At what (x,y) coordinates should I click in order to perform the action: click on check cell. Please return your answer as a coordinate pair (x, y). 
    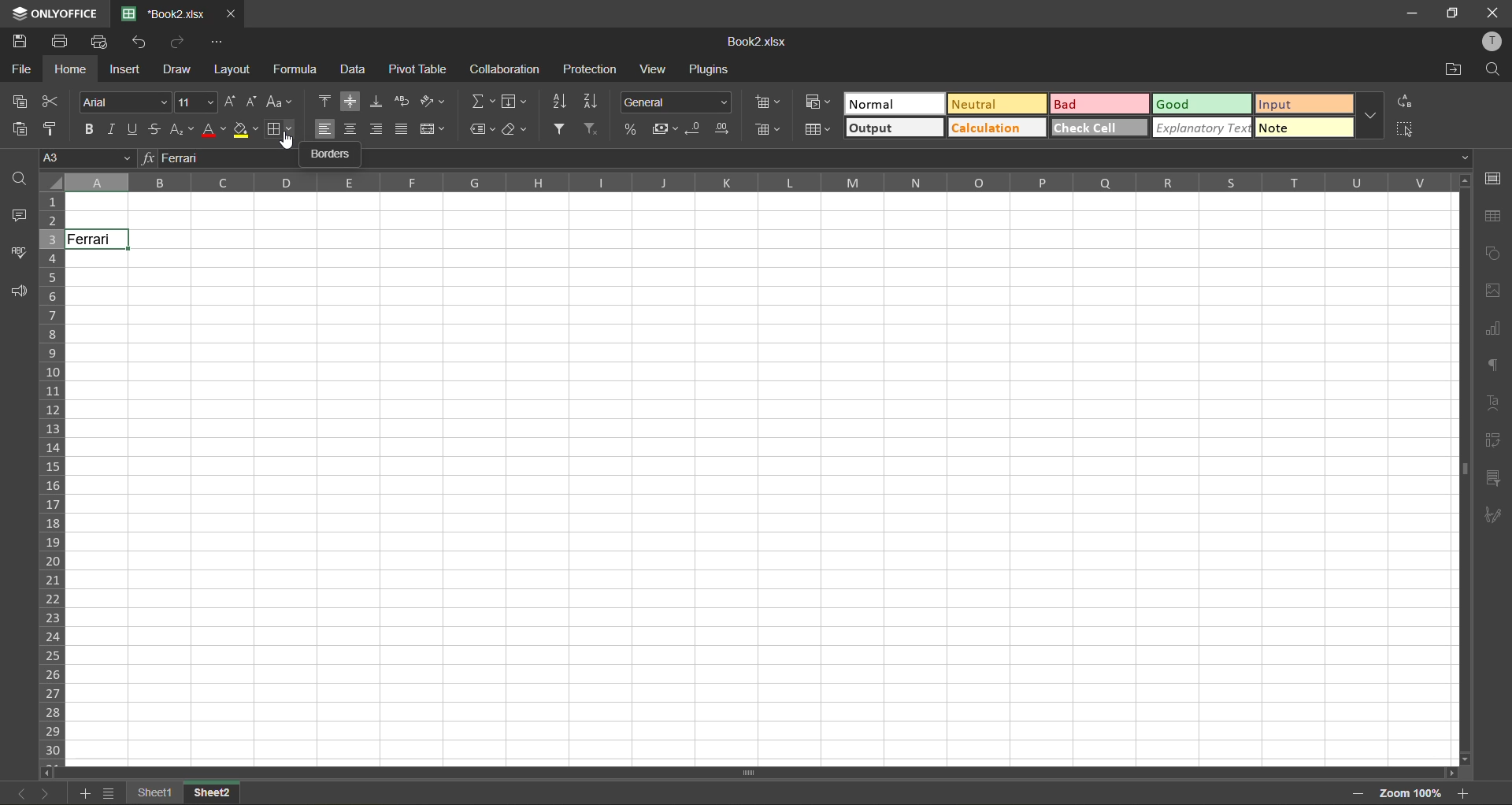
    Looking at the image, I should click on (1100, 127).